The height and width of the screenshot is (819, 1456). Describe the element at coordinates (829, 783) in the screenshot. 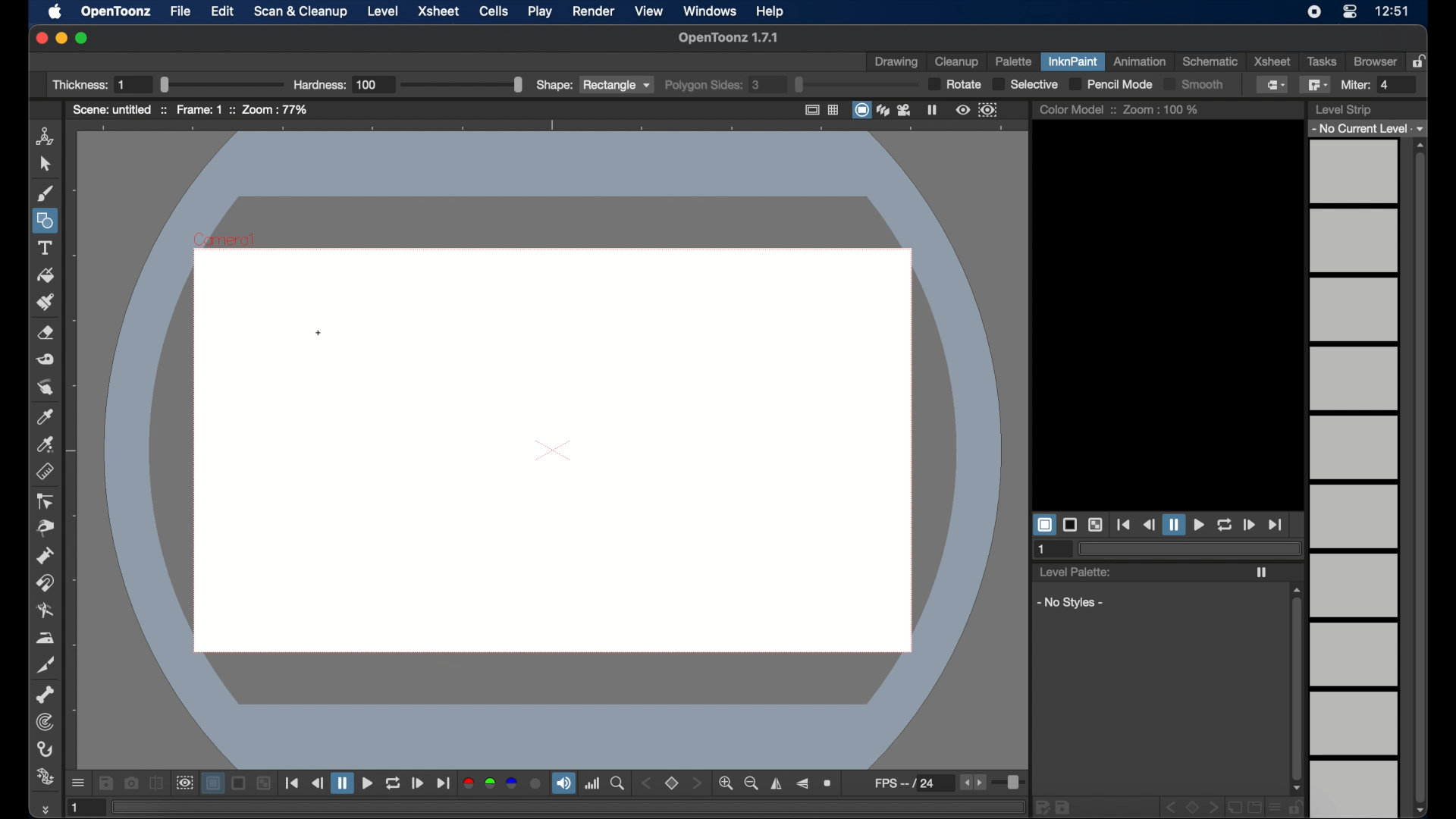

I see `reset view` at that location.